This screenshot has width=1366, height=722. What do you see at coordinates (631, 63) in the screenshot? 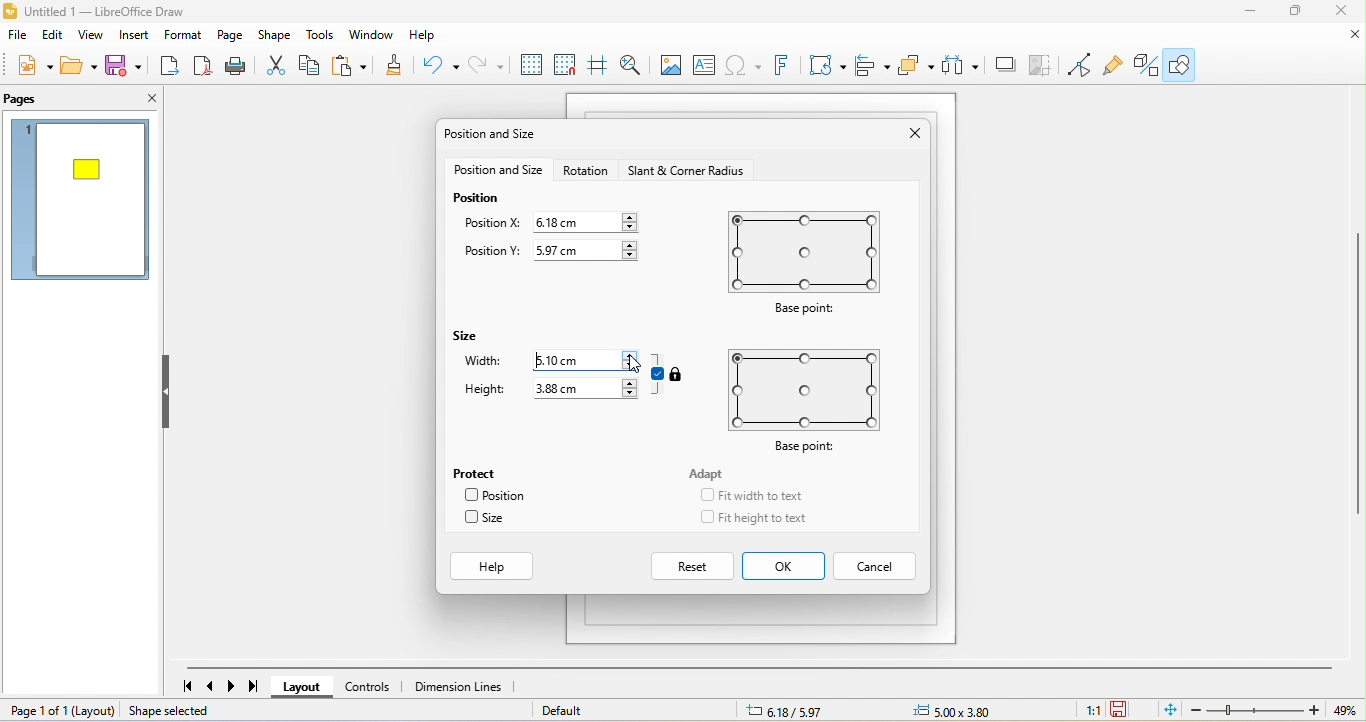
I see `zoom and pan` at bounding box center [631, 63].